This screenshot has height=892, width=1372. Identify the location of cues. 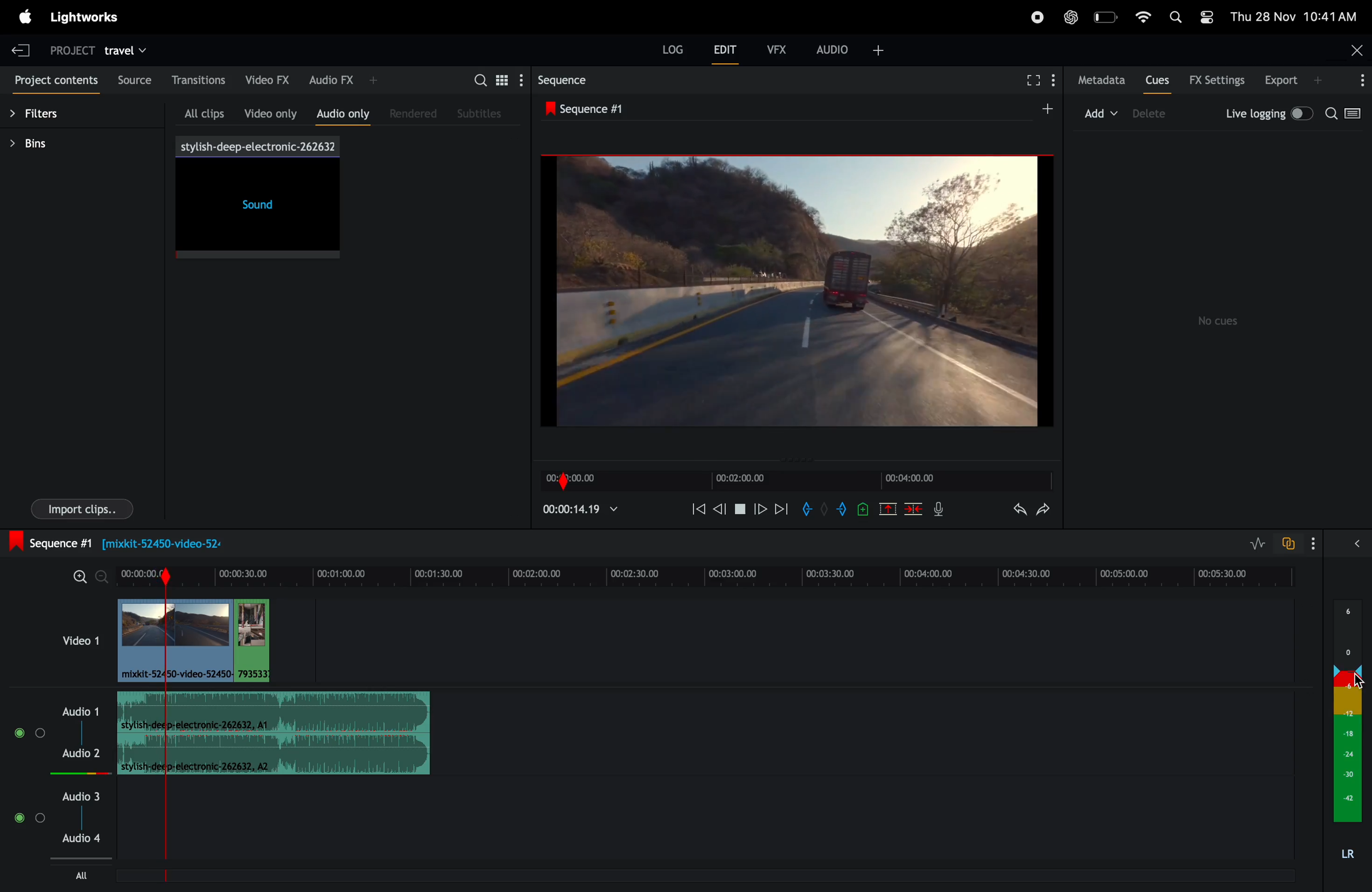
(1156, 80).